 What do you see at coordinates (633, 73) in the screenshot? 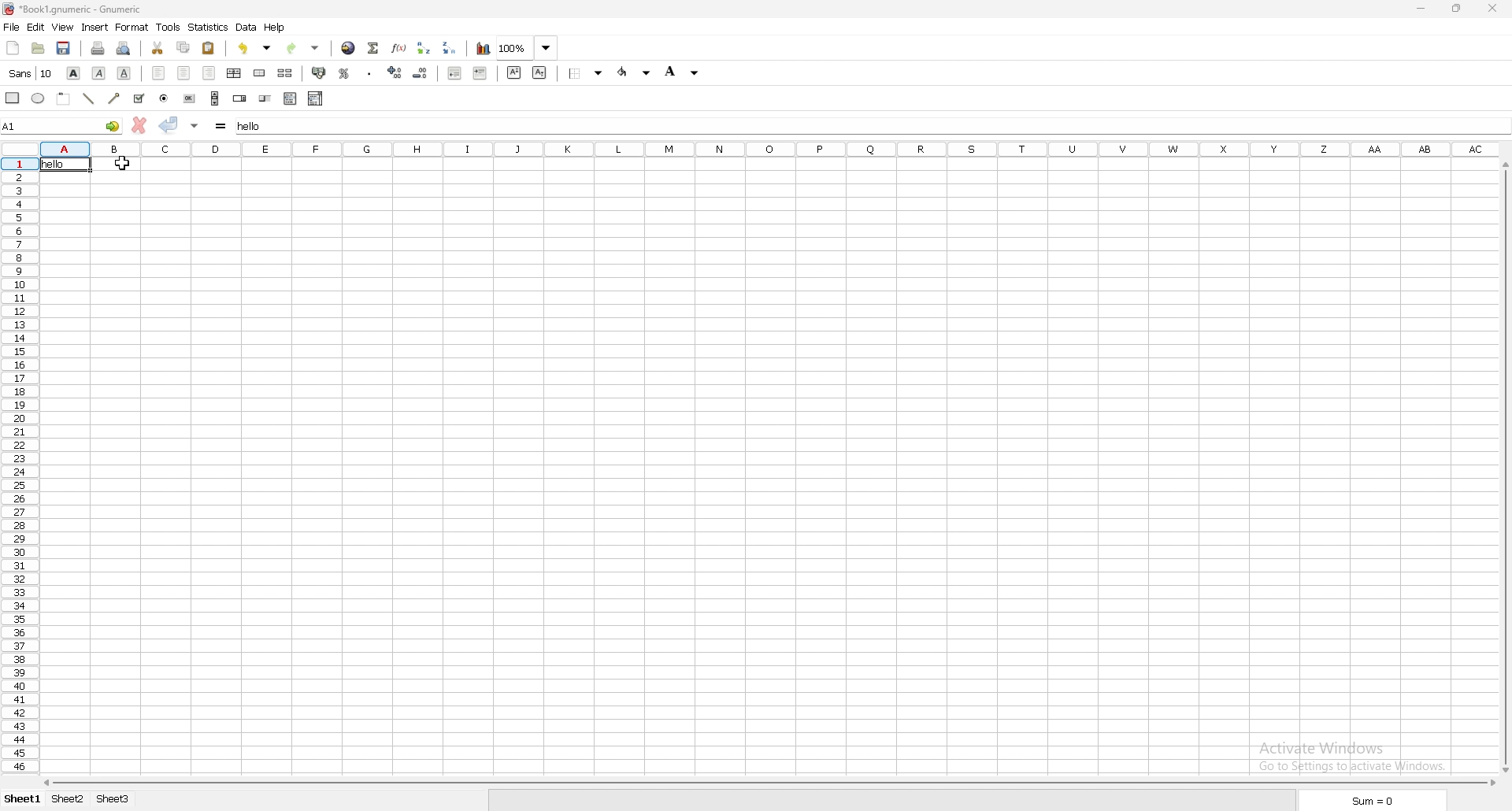
I see `background` at bounding box center [633, 73].